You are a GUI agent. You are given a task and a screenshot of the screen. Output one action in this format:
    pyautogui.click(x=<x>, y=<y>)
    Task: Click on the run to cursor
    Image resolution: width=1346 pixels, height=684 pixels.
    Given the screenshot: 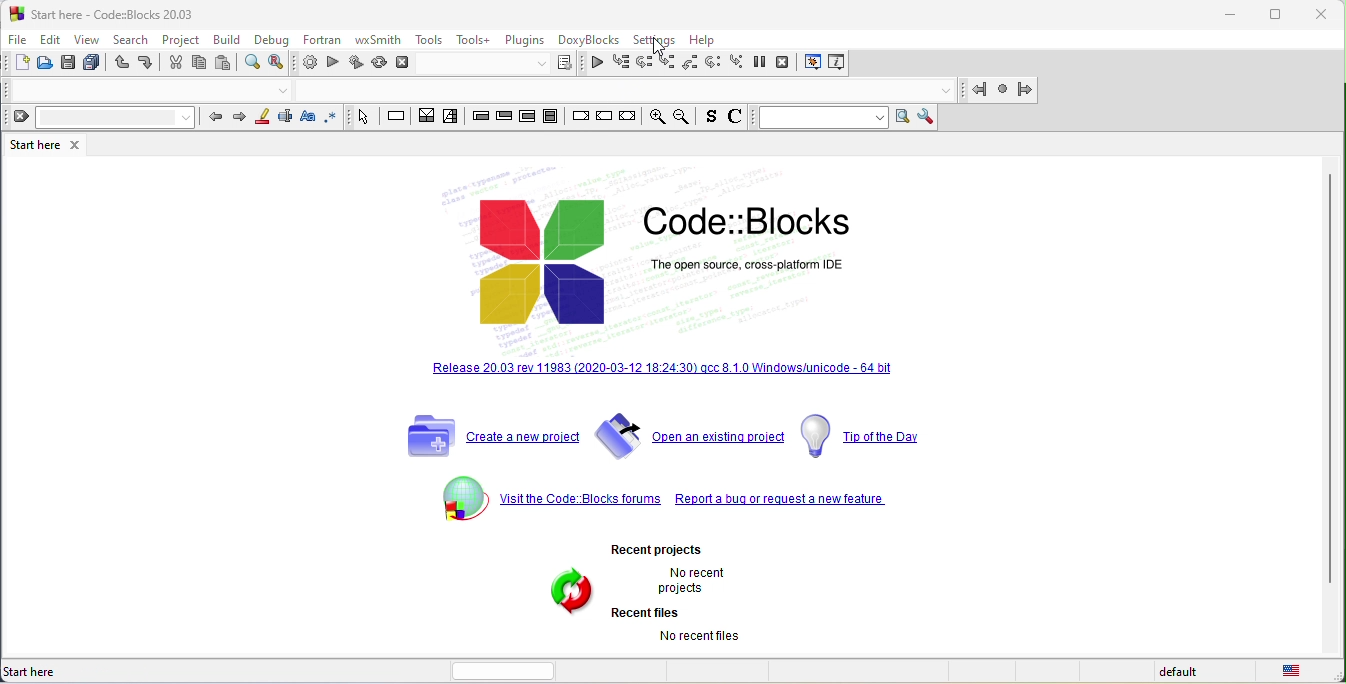 What is the action you would take?
    pyautogui.click(x=624, y=66)
    